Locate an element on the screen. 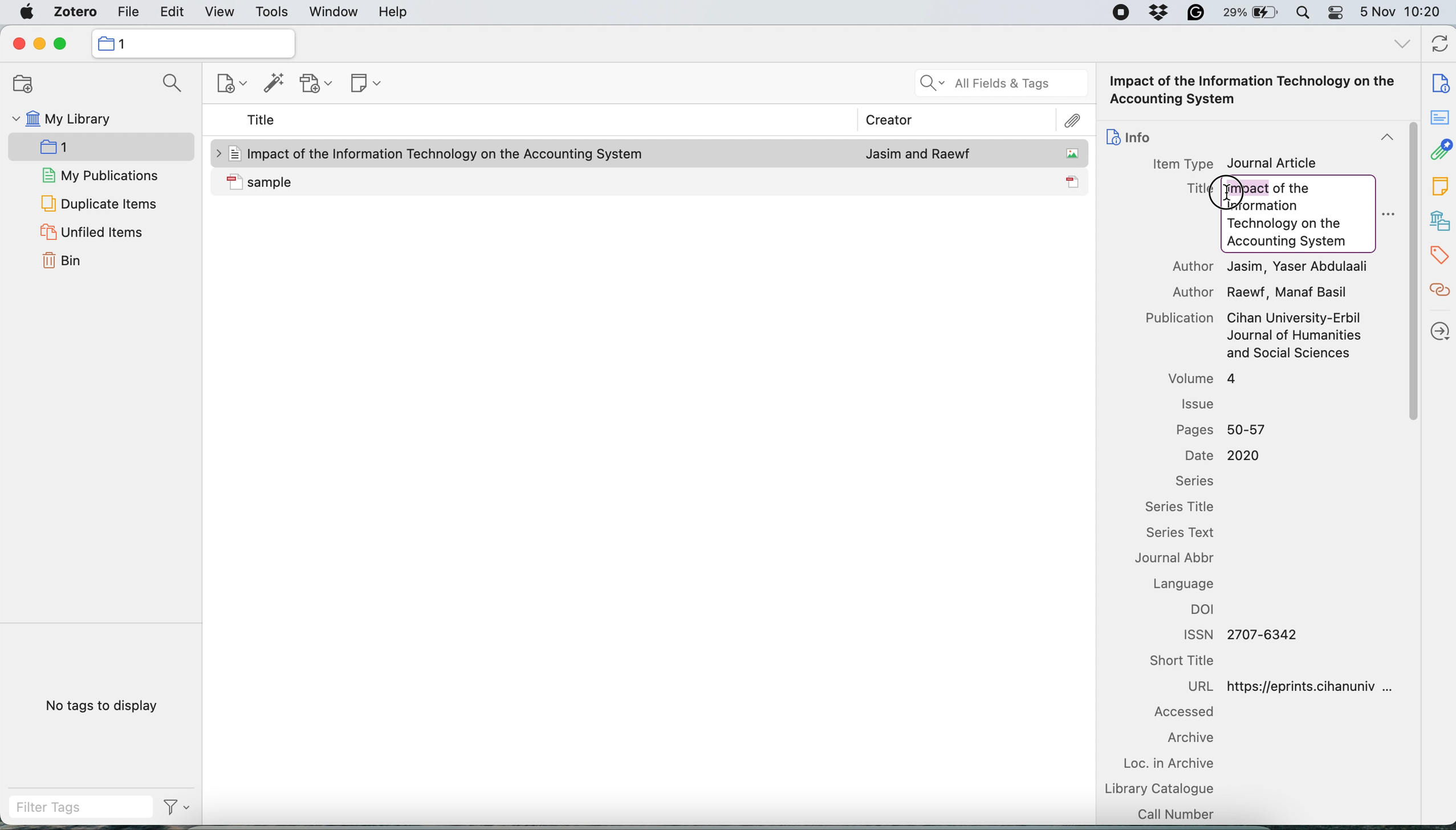 This screenshot has height=830, width=1456. accessed is located at coordinates (1191, 711).